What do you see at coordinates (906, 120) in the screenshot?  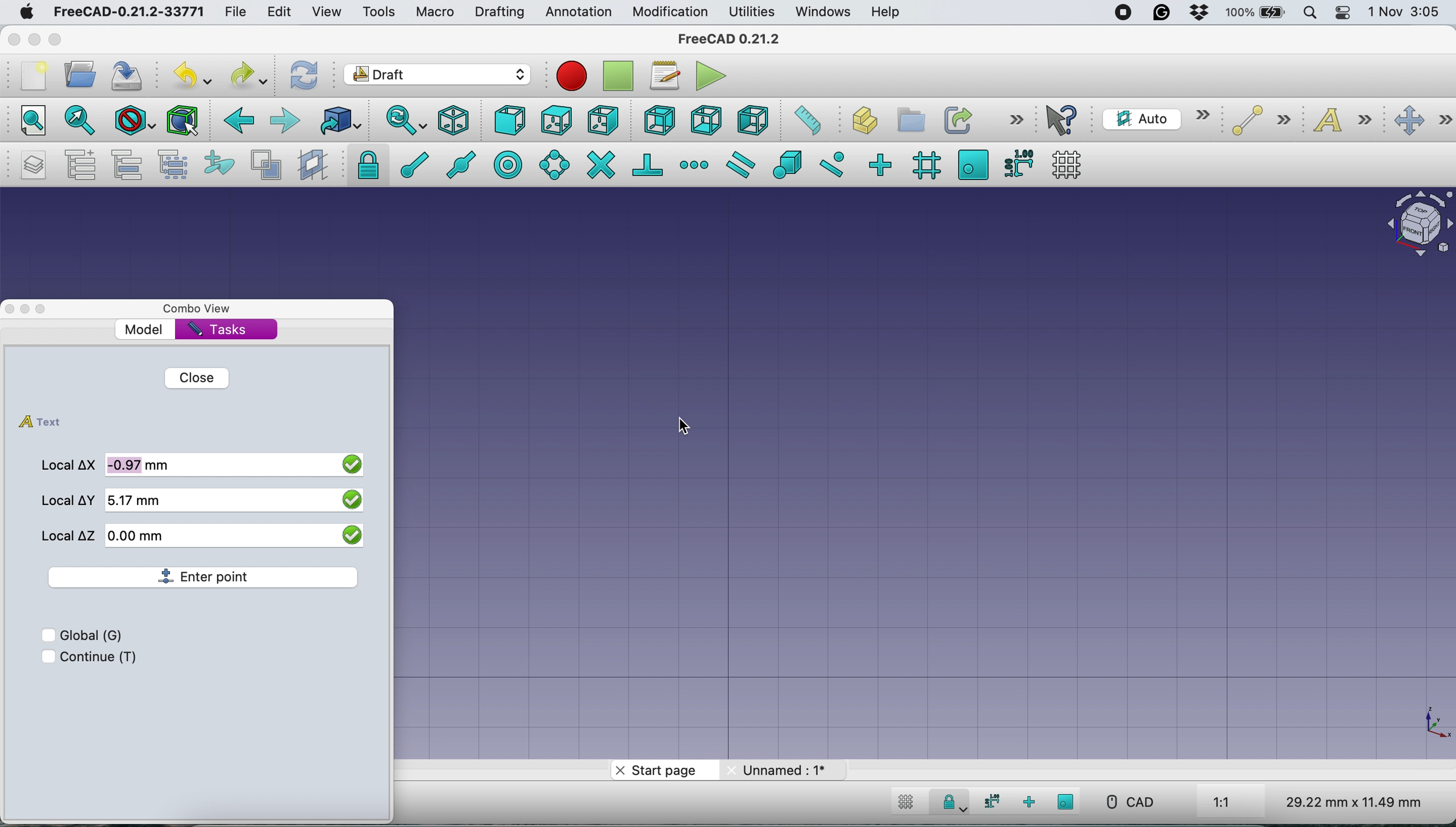 I see `create part` at bounding box center [906, 120].